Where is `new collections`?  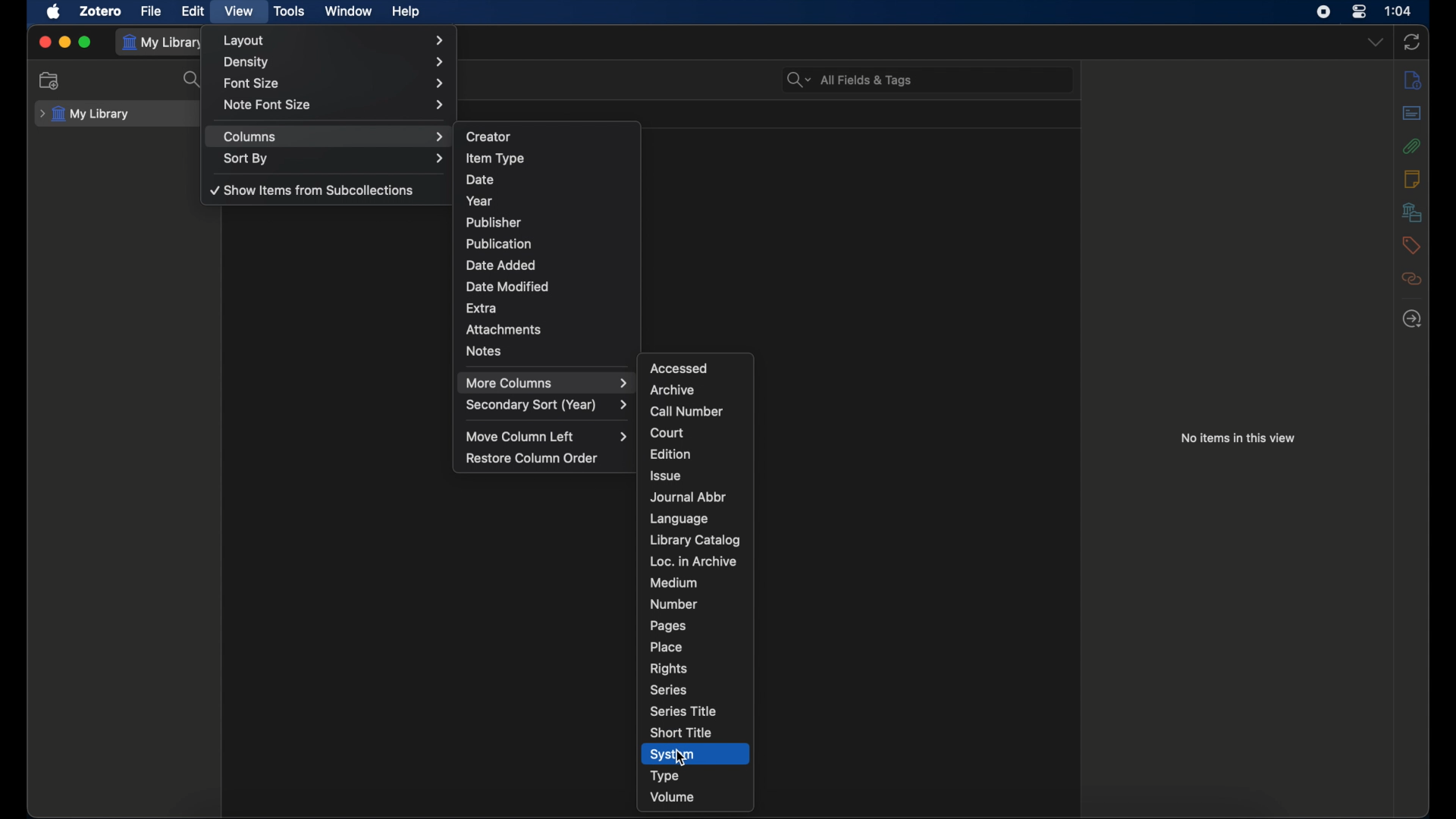
new collections is located at coordinates (50, 80).